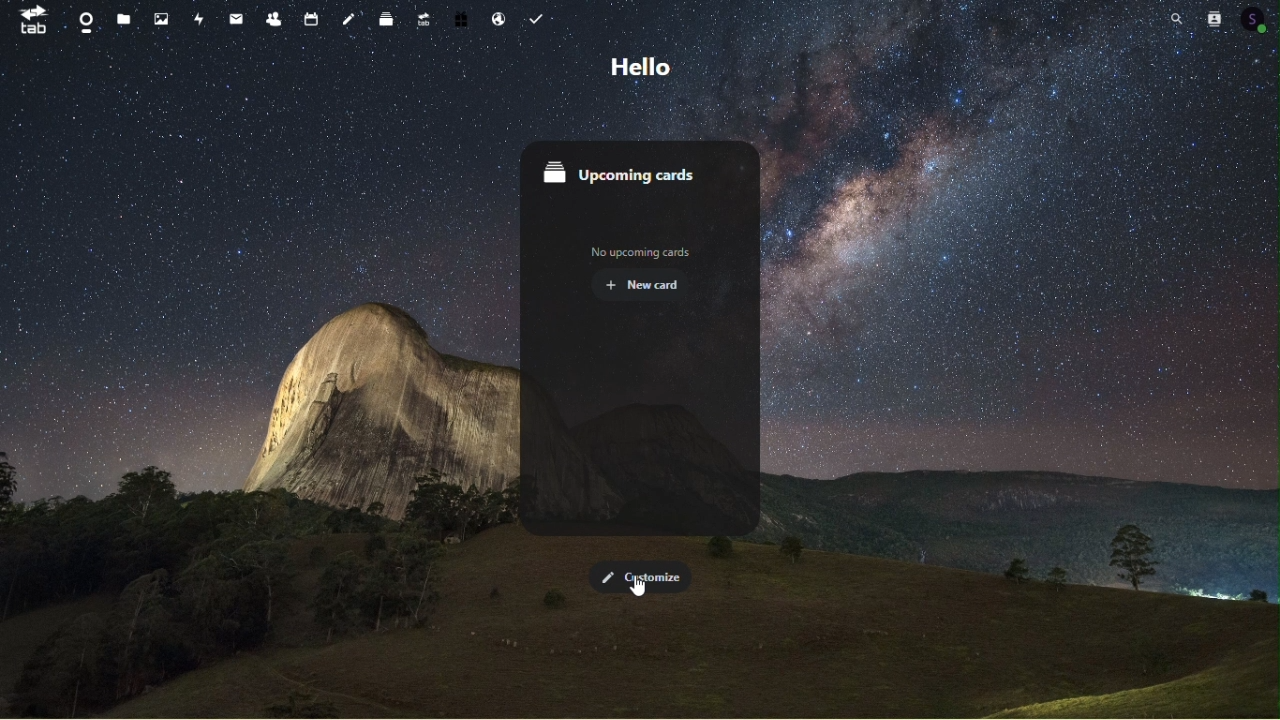 This screenshot has height=720, width=1280. I want to click on Notes, so click(345, 21).